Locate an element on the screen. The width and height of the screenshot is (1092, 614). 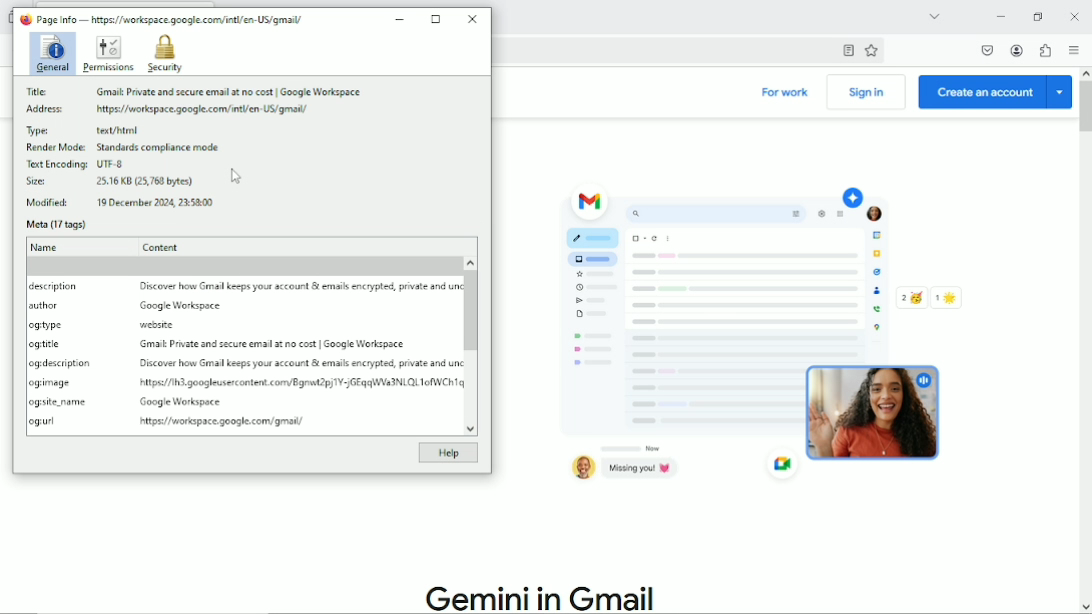
Cursor is located at coordinates (235, 176).